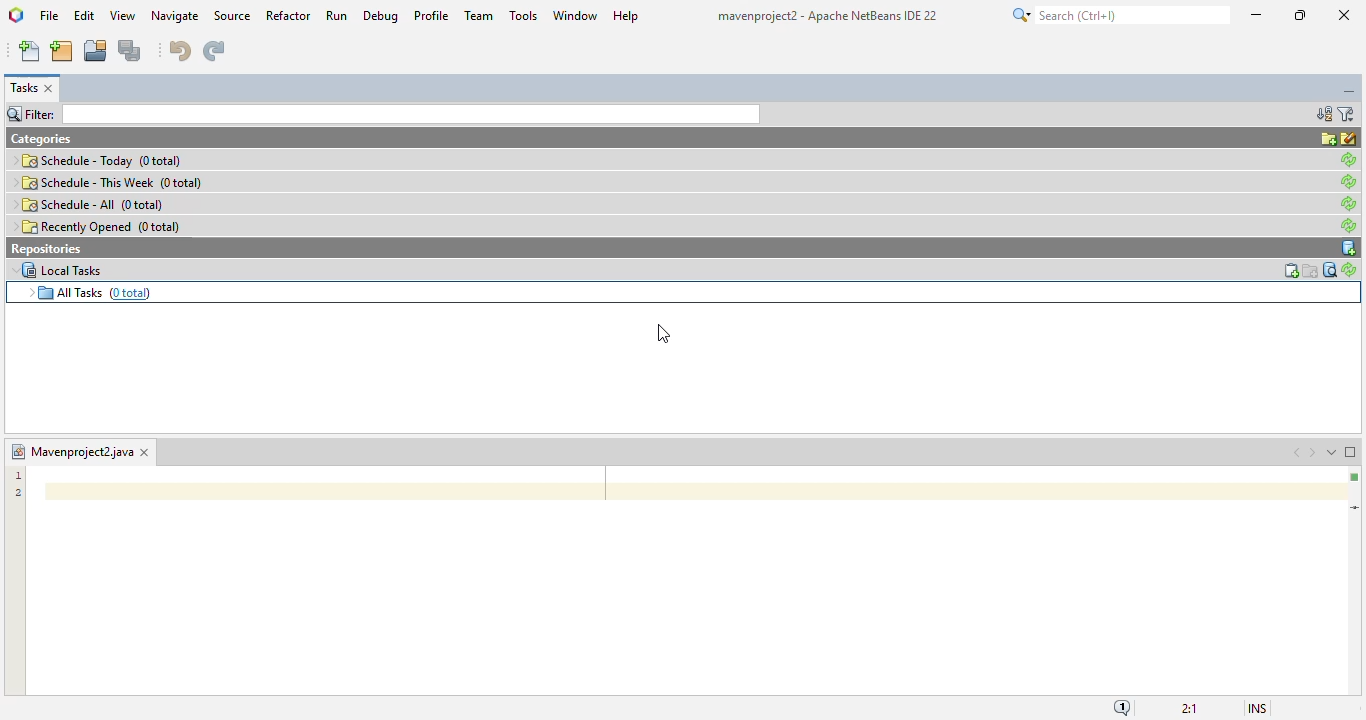 This screenshot has width=1366, height=720. I want to click on insert mode, so click(1257, 709).